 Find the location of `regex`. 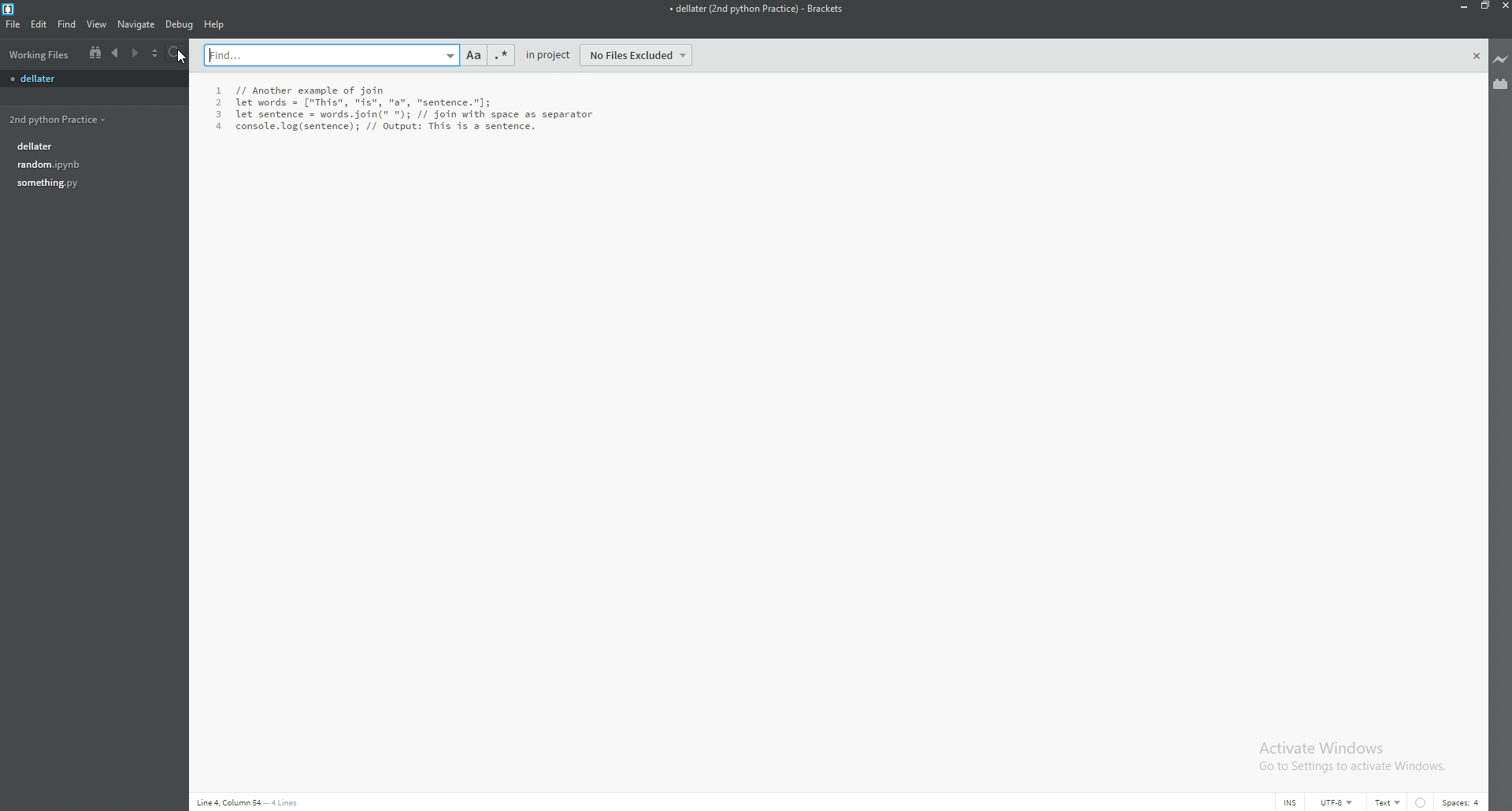

regex is located at coordinates (499, 55).